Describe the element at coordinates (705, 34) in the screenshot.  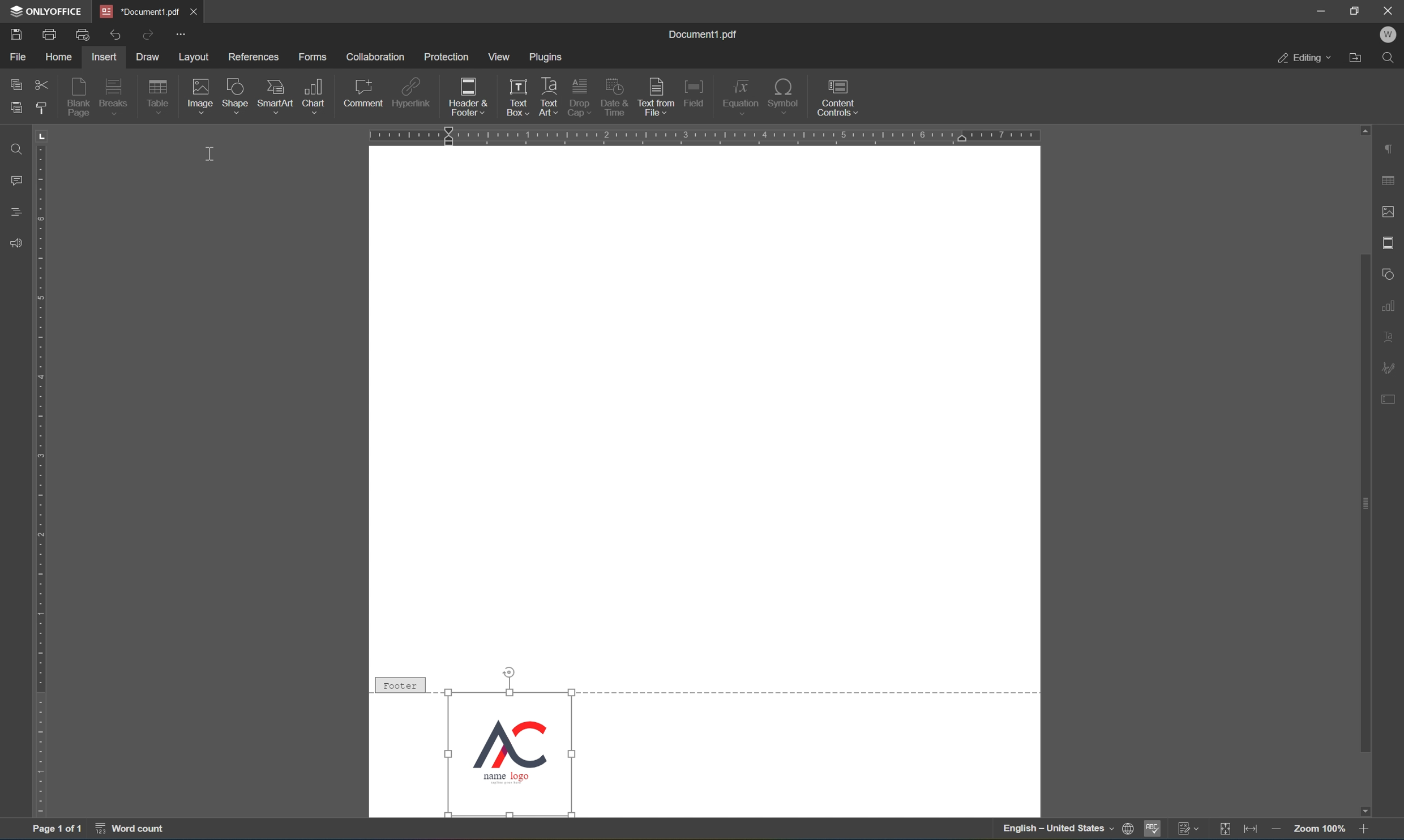
I see `document1.pdf` at that location.